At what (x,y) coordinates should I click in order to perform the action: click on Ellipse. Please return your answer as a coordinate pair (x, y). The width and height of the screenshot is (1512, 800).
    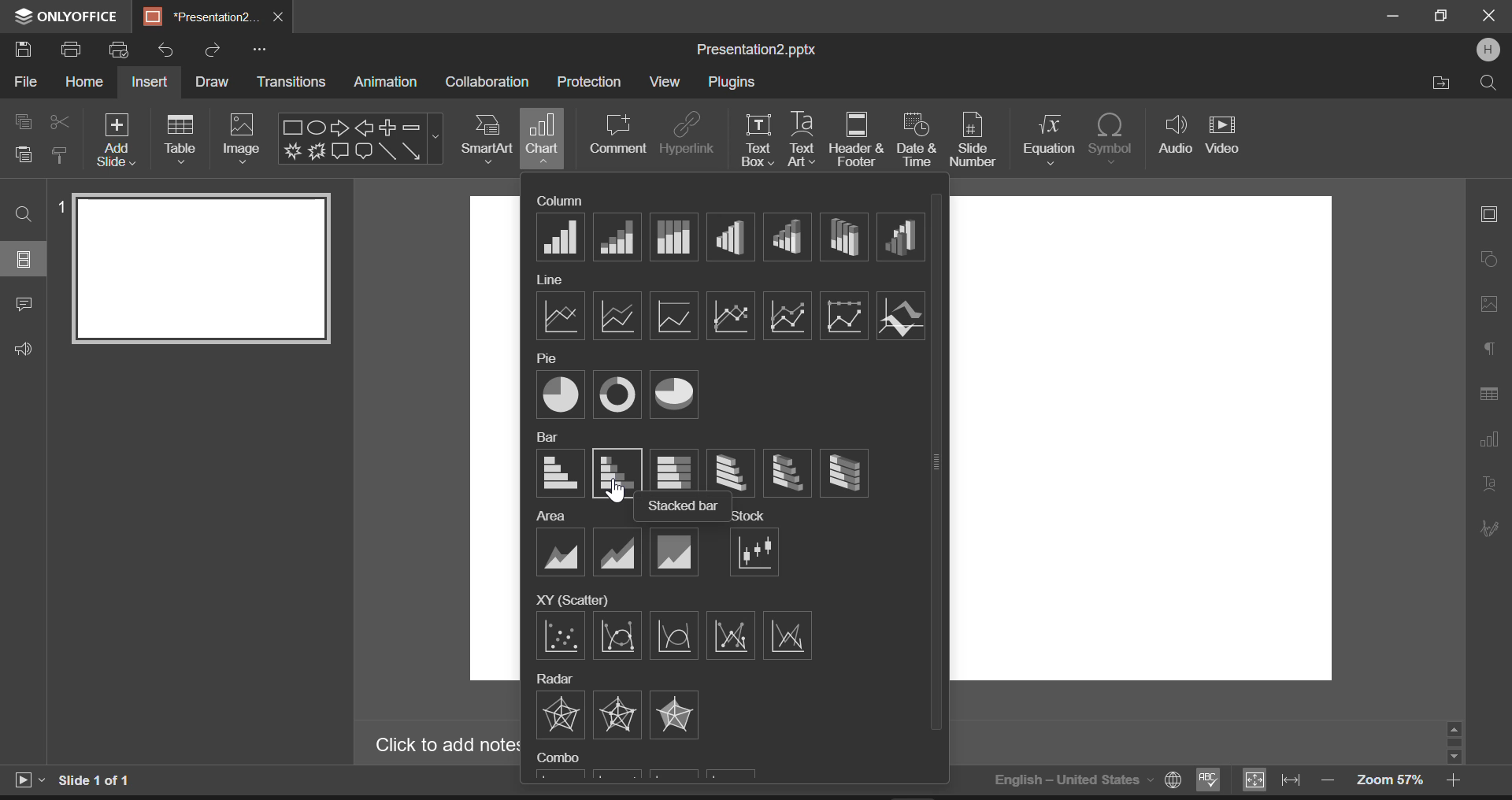
    Looking at the image, I should click on (316, 127).